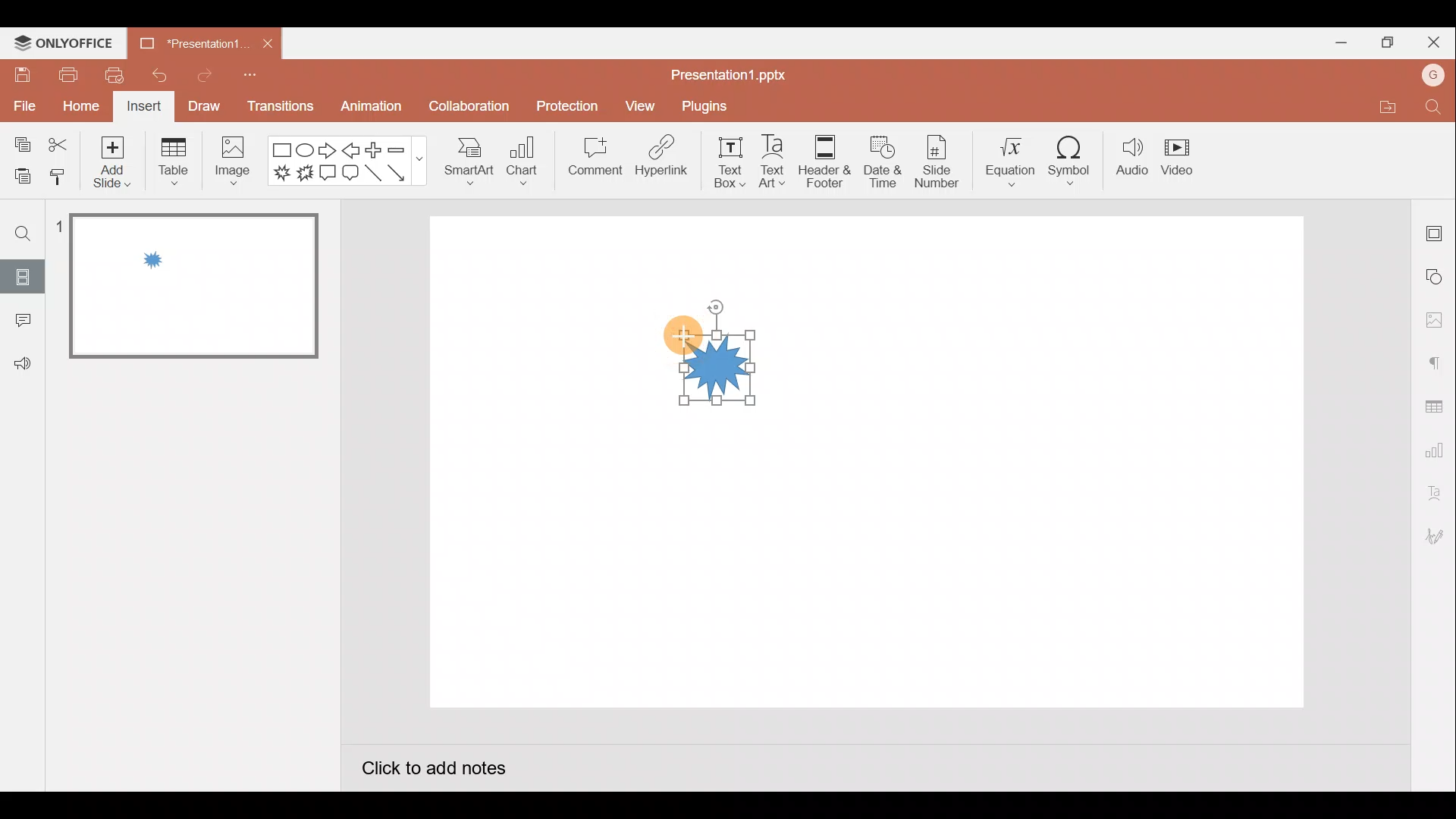  I want to click on Symbol, so click(1072, 163).